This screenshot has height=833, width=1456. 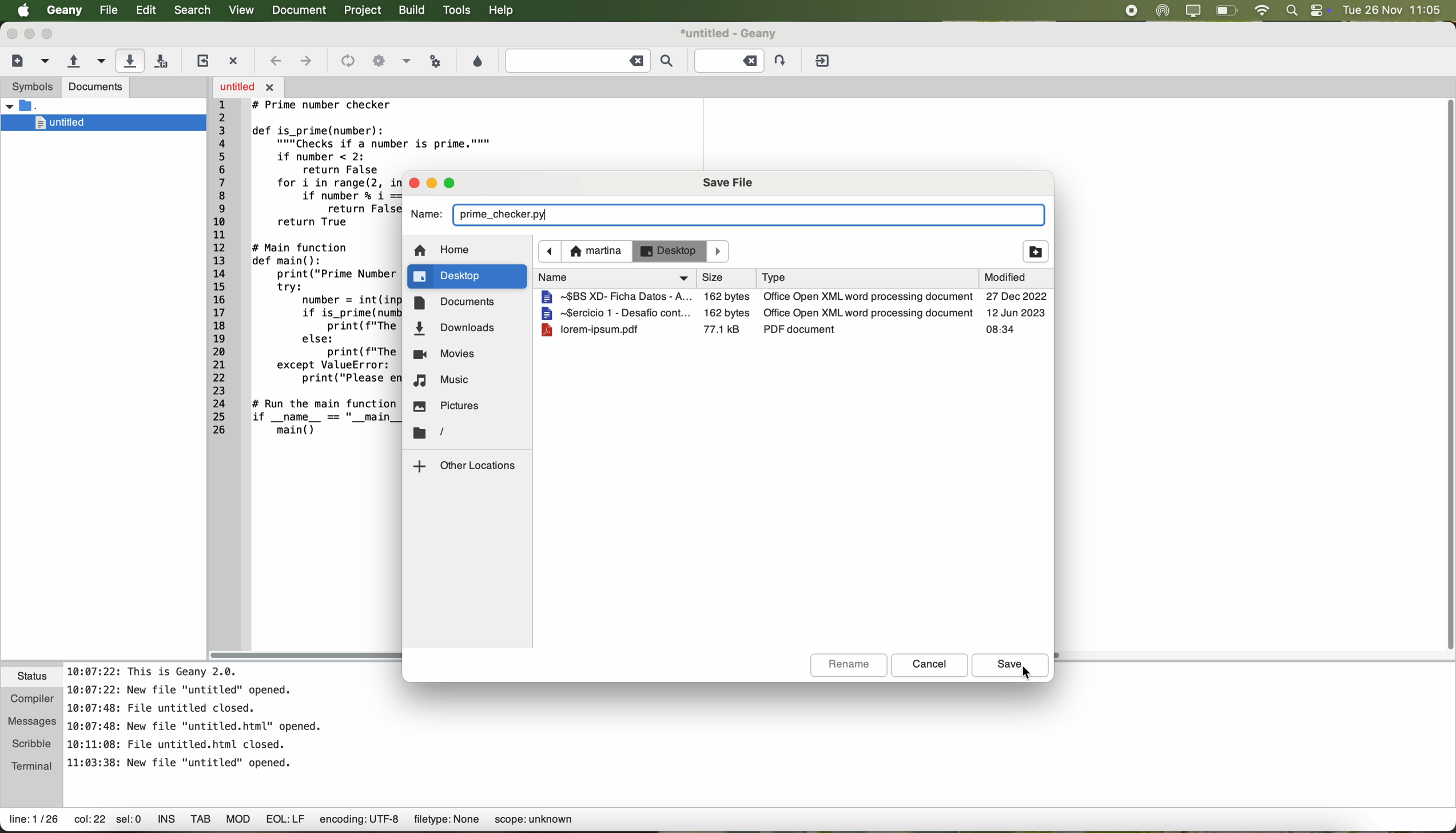 I want to click on create a new file from template, so click(x=46, y=62).